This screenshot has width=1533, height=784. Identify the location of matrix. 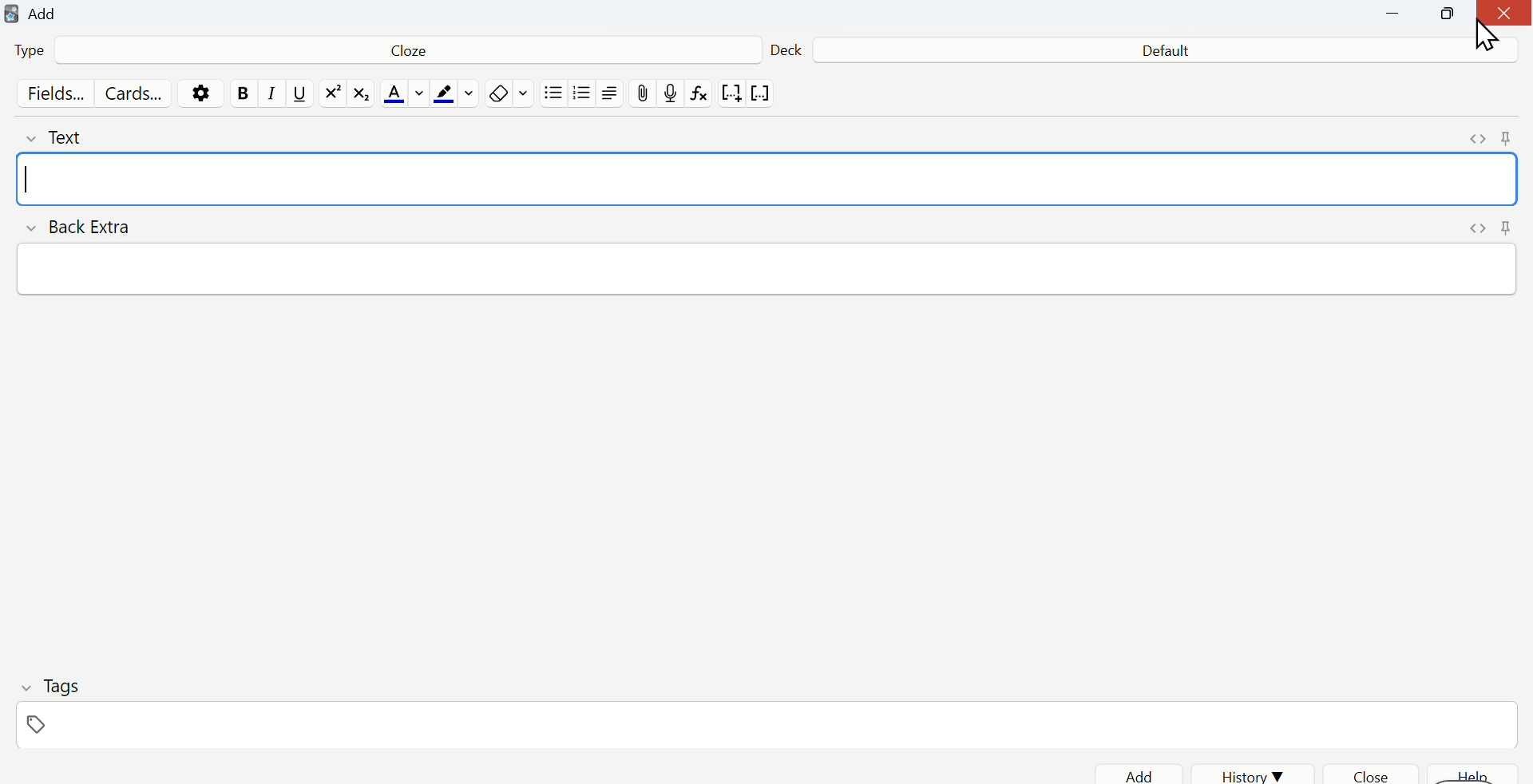
(362, 96).